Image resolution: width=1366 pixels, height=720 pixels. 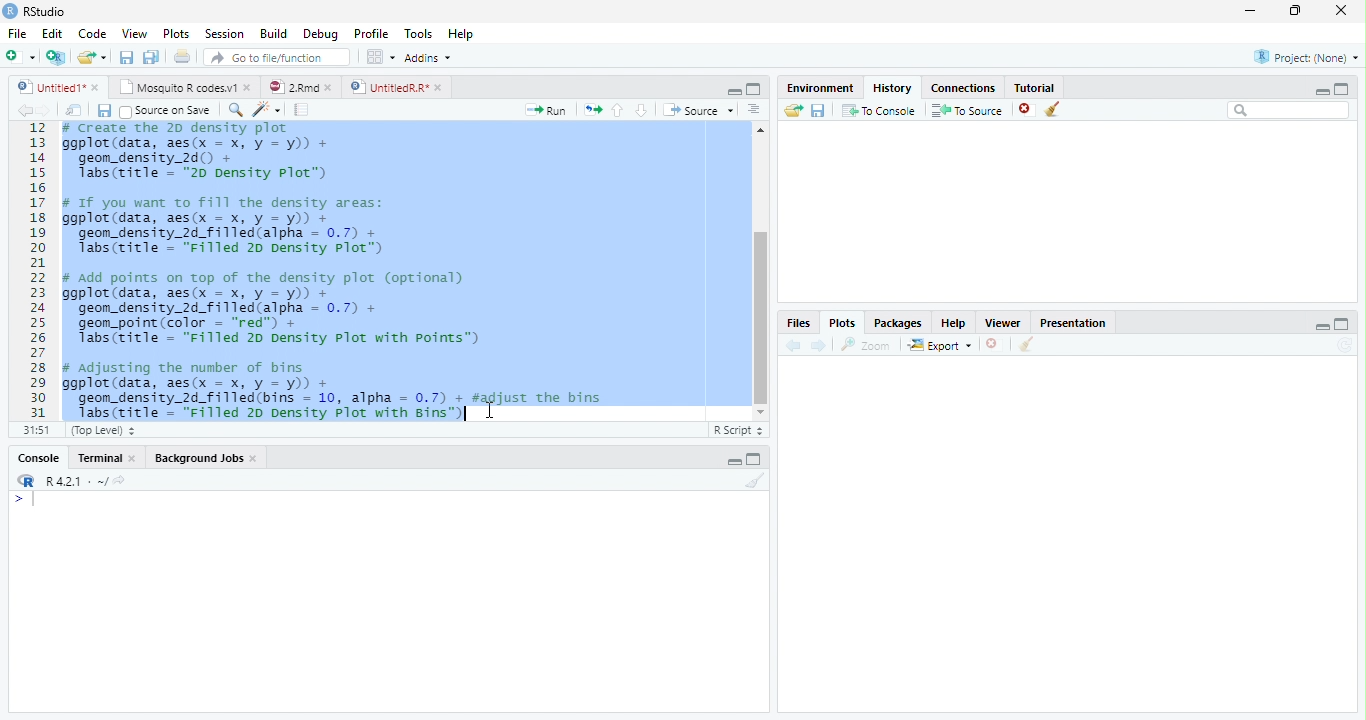 What do you see at coordinates (939, 346) in the screenshot?
I see `export` at bounding box center [939, 346].